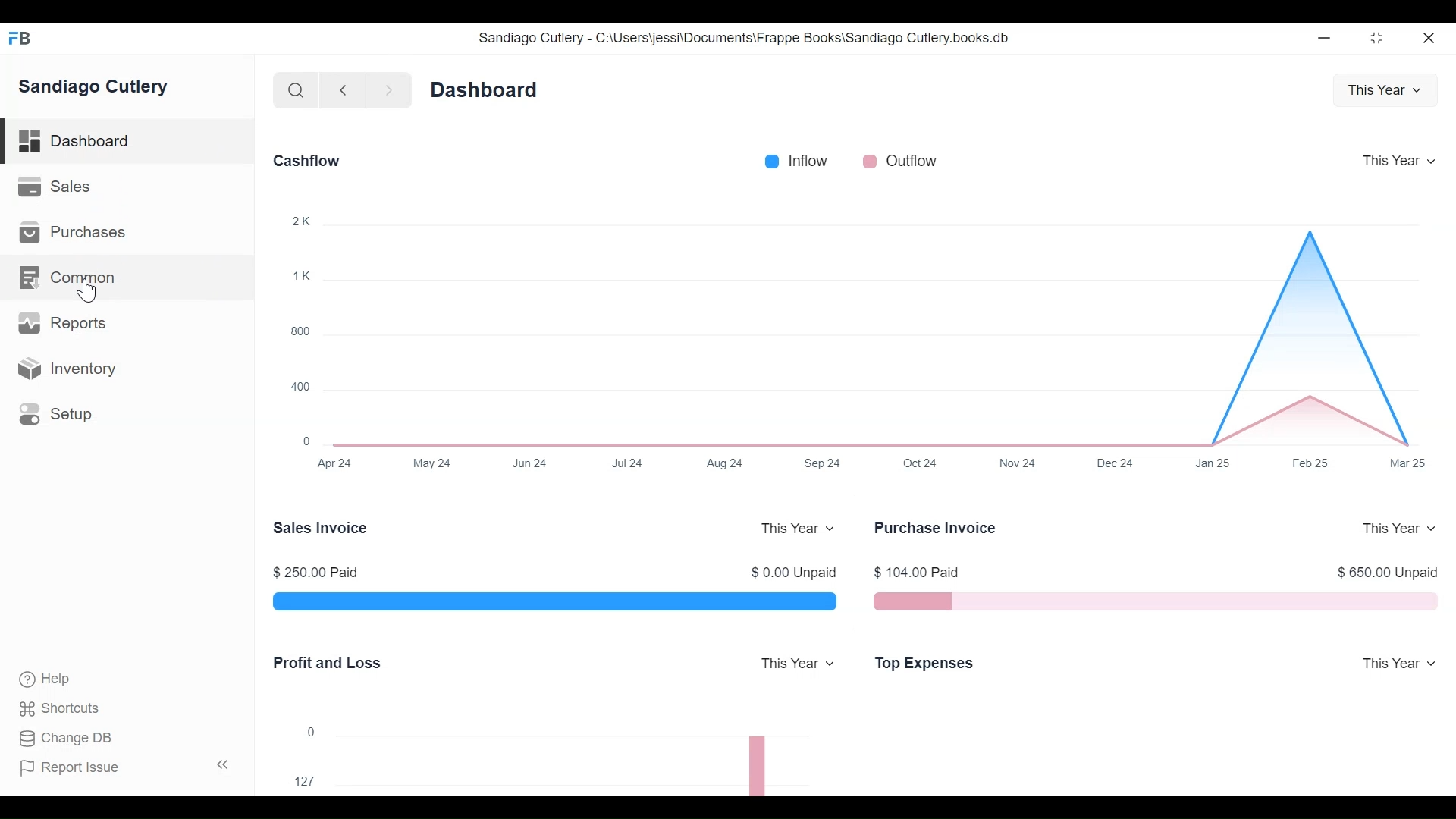 Image resolution: width=1456 pixels, height=819 pixels. What do you see at coordinates (792, 664) in the screenshot?
I see `This year` at bounding box center [792, 664].